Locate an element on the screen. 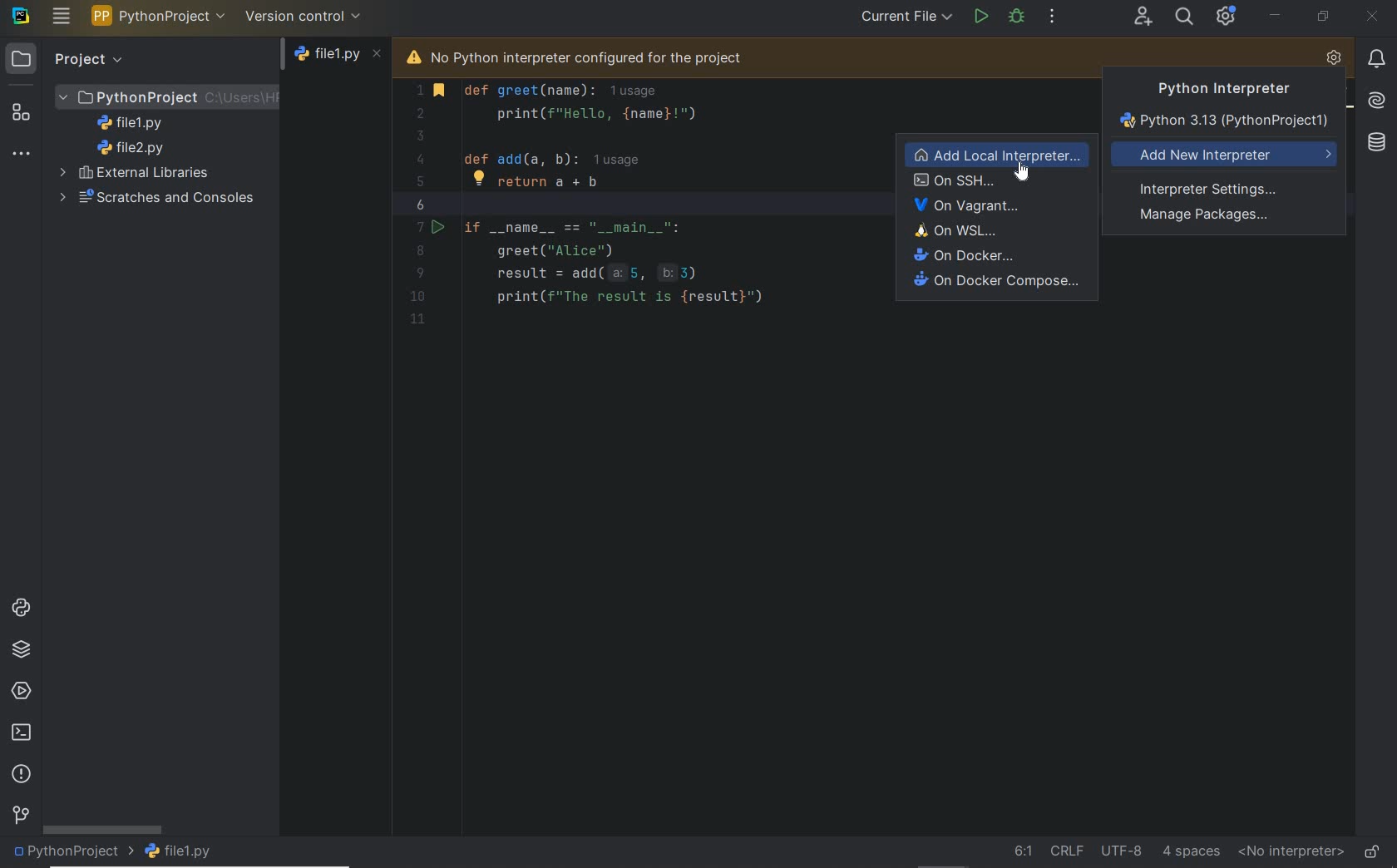 Image resolution: width=1397 pixels, height=868 pixels. debug is located at coordinates (1018, 16).